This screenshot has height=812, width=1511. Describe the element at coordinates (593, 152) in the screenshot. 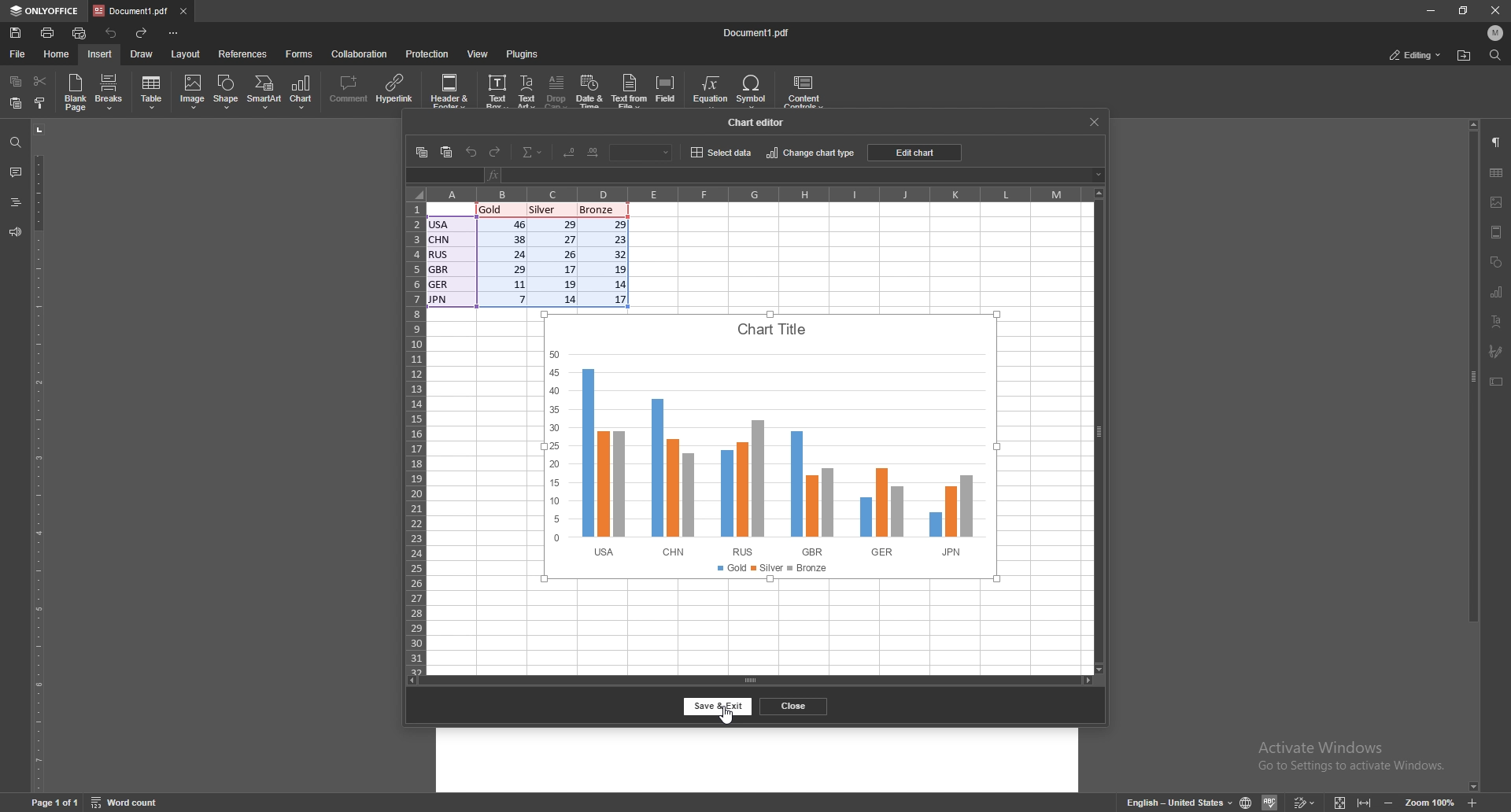

I see `increase decimal` at that location.